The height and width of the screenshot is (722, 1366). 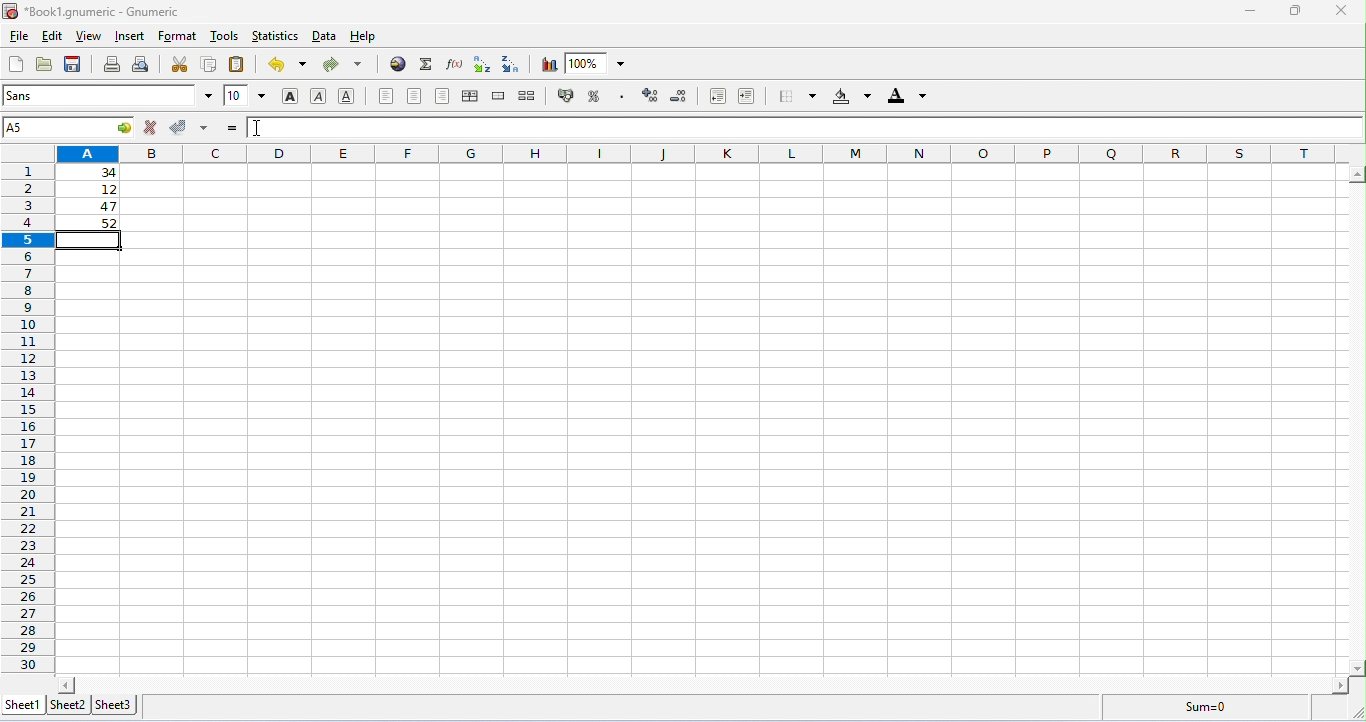 What do you see at coordinates (153, 126) in the screenshot?
I see `reject` at bounding box center [153, 126].